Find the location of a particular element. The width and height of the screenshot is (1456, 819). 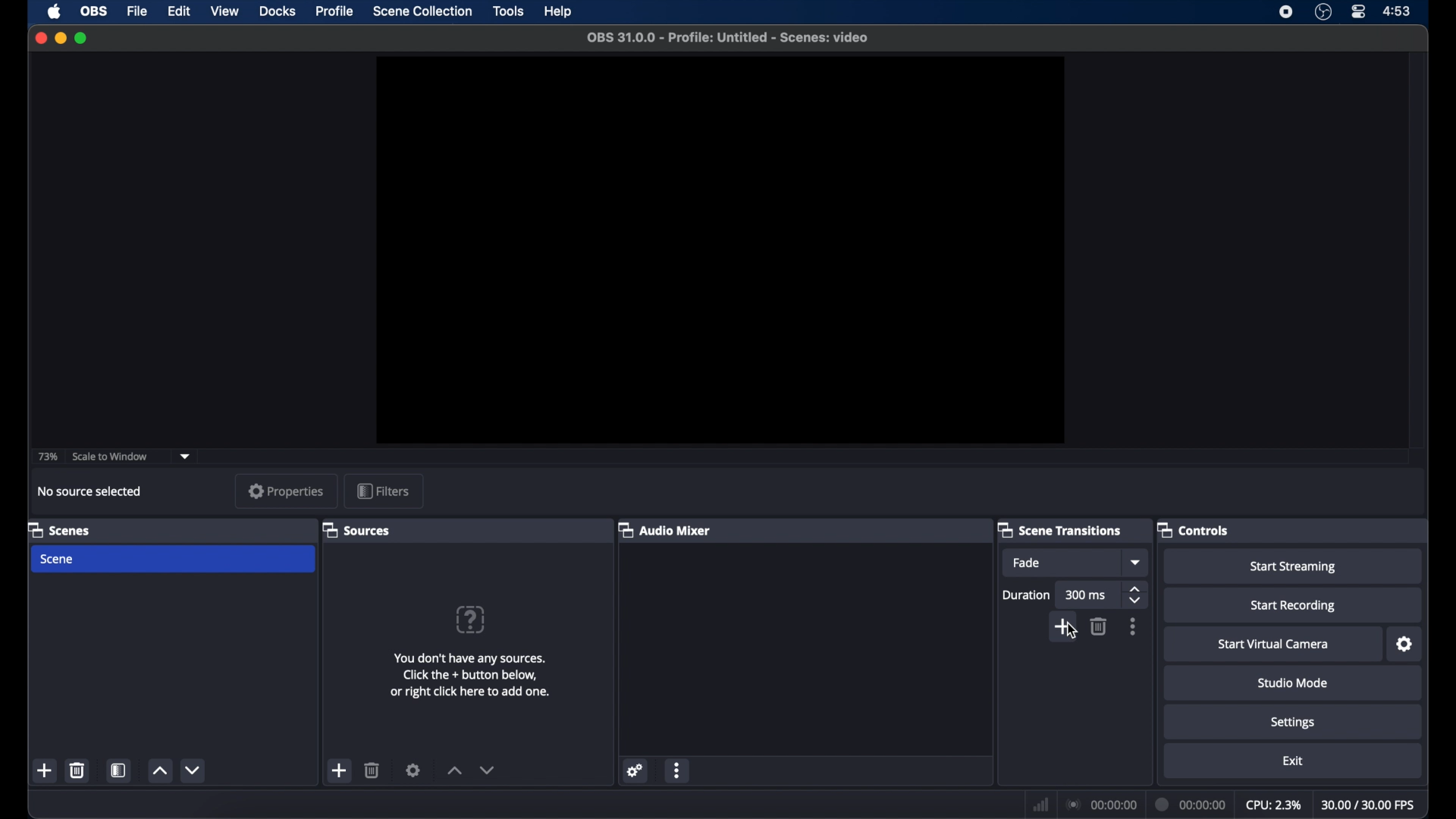

fps is located at coordinates (1369, 805).